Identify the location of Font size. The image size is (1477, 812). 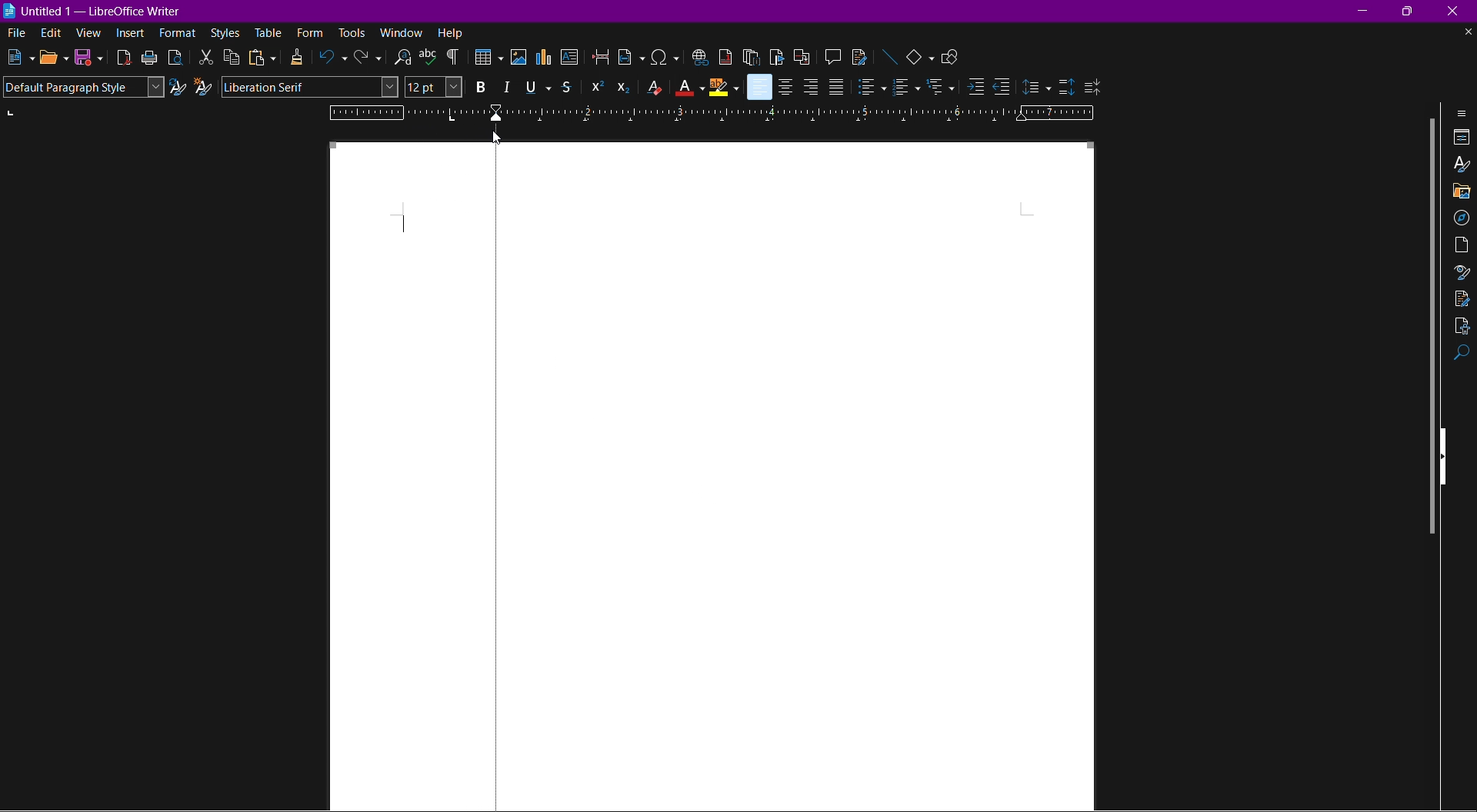
(432, 88).